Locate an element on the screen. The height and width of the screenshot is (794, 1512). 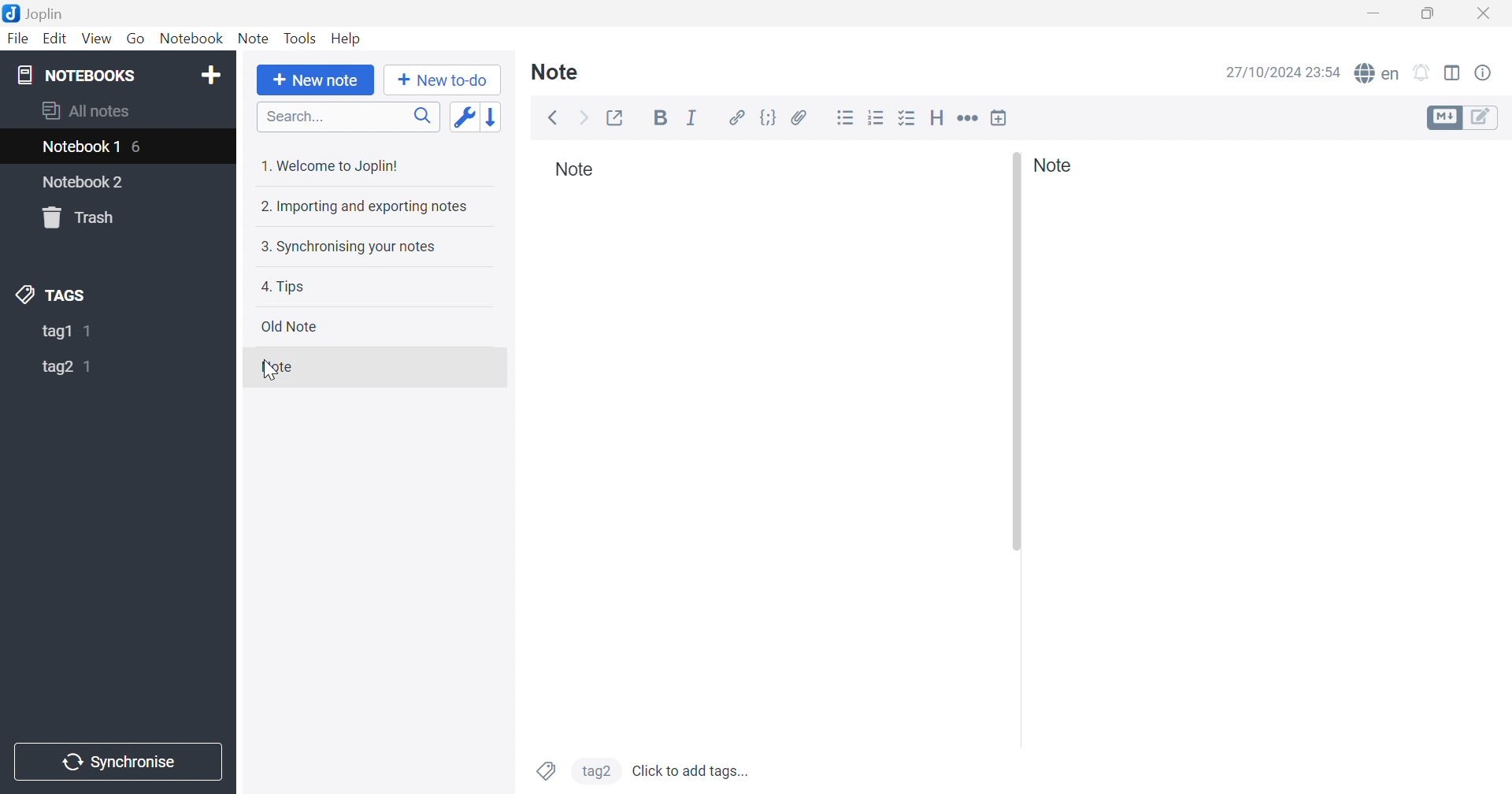
Forward is located at coordinates (583, 118).